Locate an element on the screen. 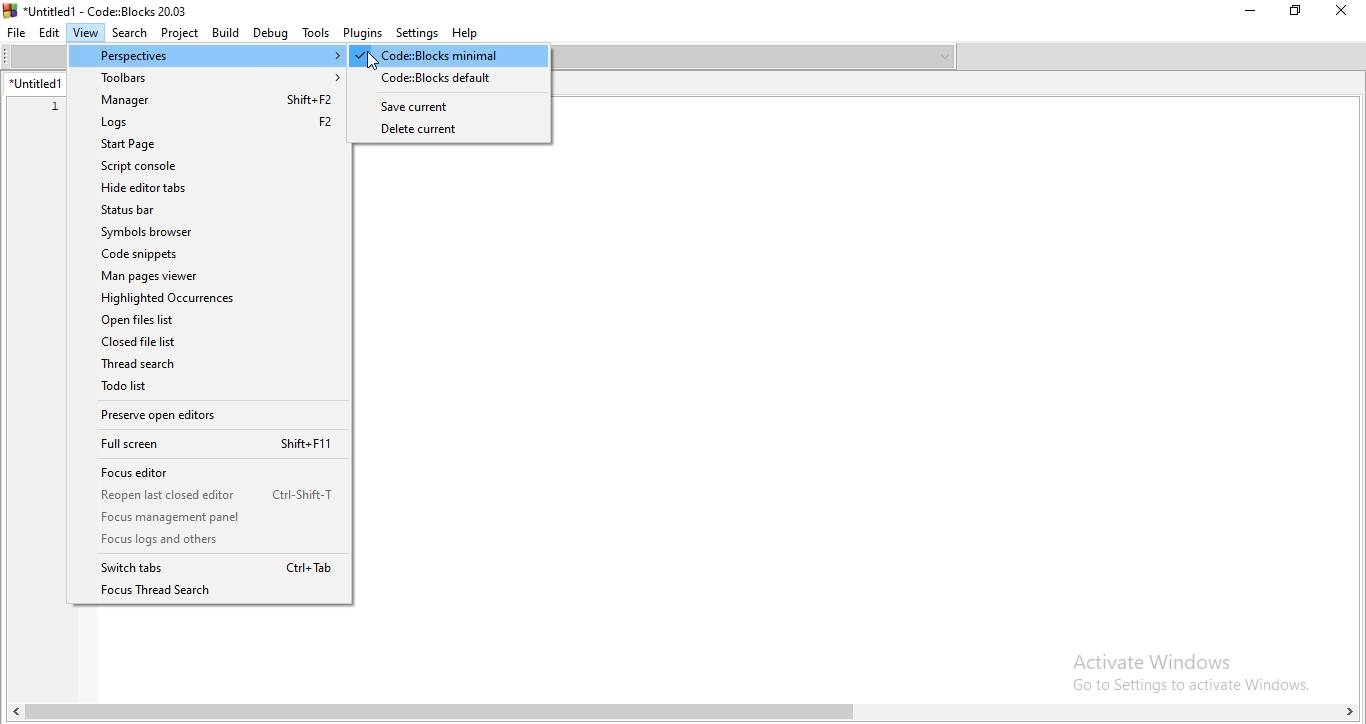  Settings  is located at coordinates (416, 33).